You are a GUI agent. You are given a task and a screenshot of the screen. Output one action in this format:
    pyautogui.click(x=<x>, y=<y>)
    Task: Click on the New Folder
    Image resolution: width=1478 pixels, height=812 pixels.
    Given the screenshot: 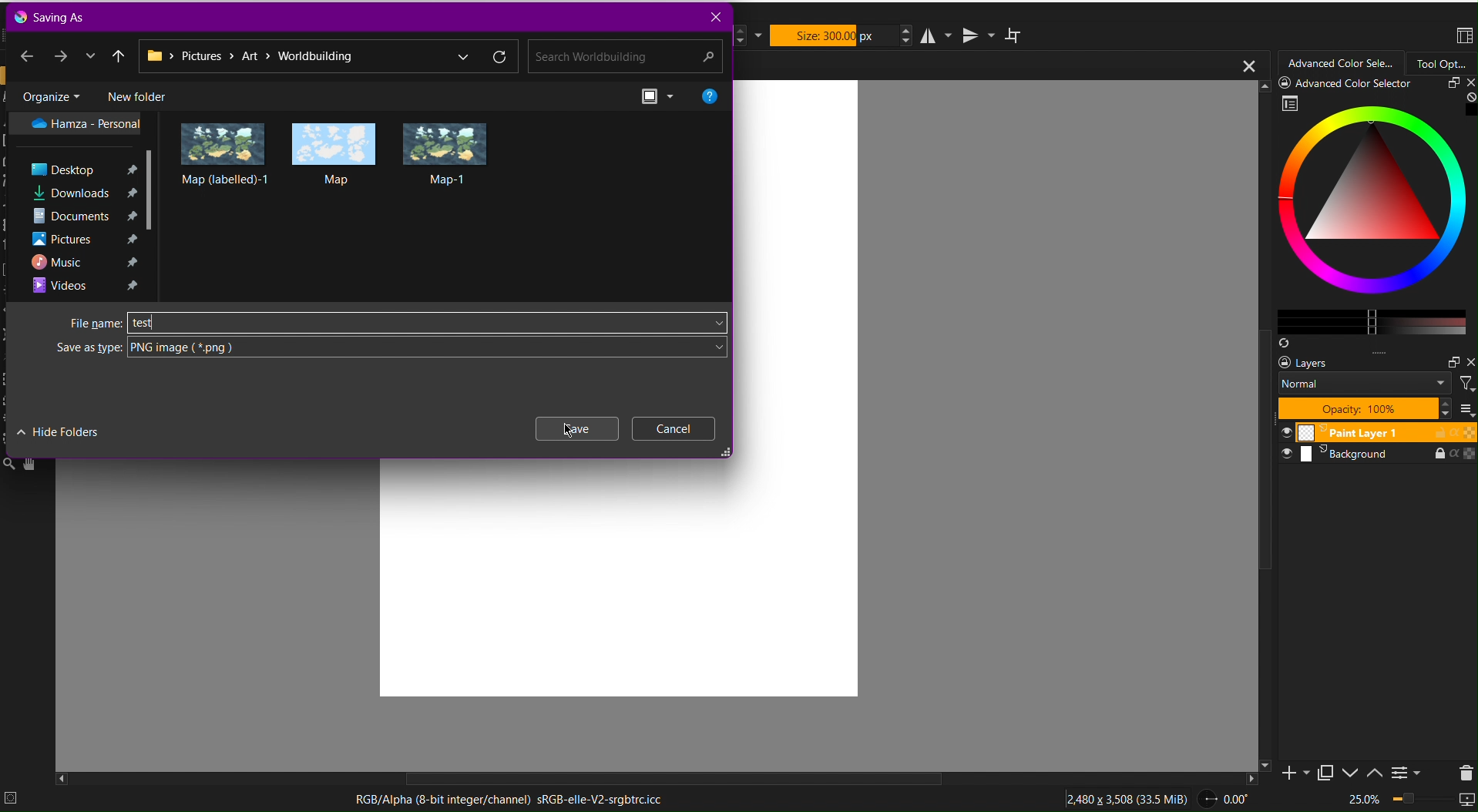 What is the action you would take?
    pyautogui.click(x=136, y=95)
    